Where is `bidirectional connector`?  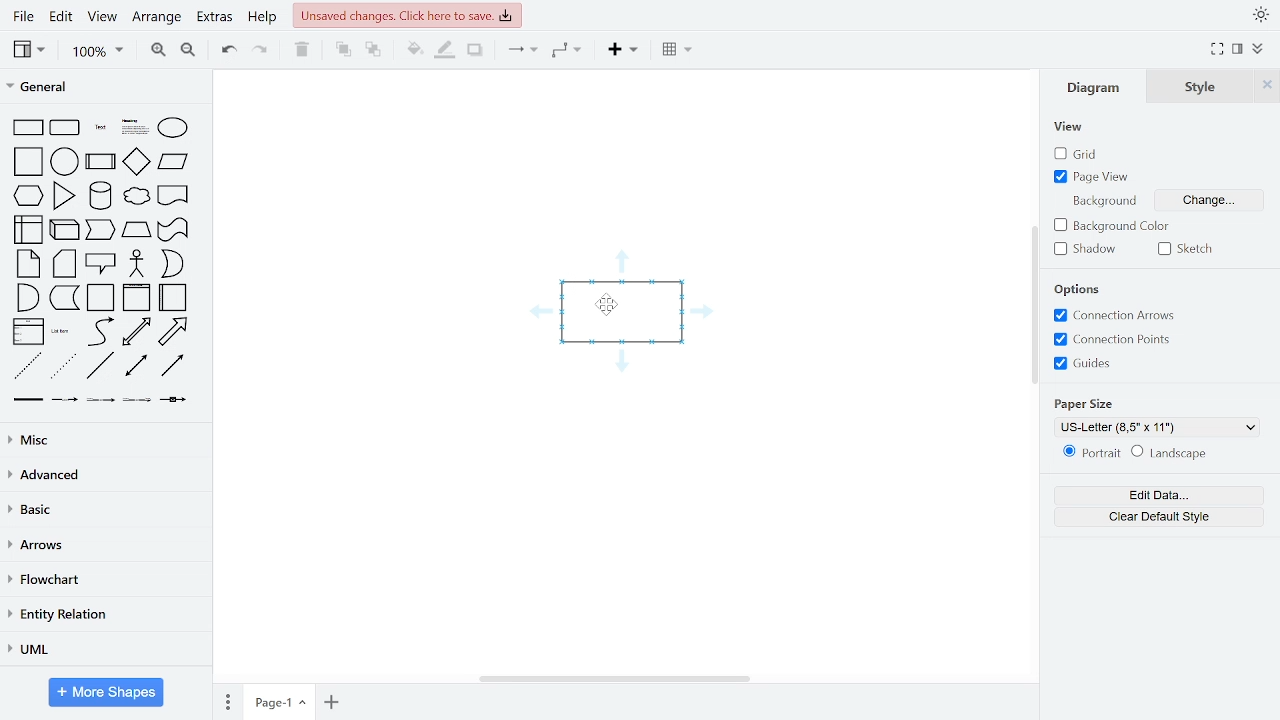 bidirectional connector is located at coordinates (134, 366).